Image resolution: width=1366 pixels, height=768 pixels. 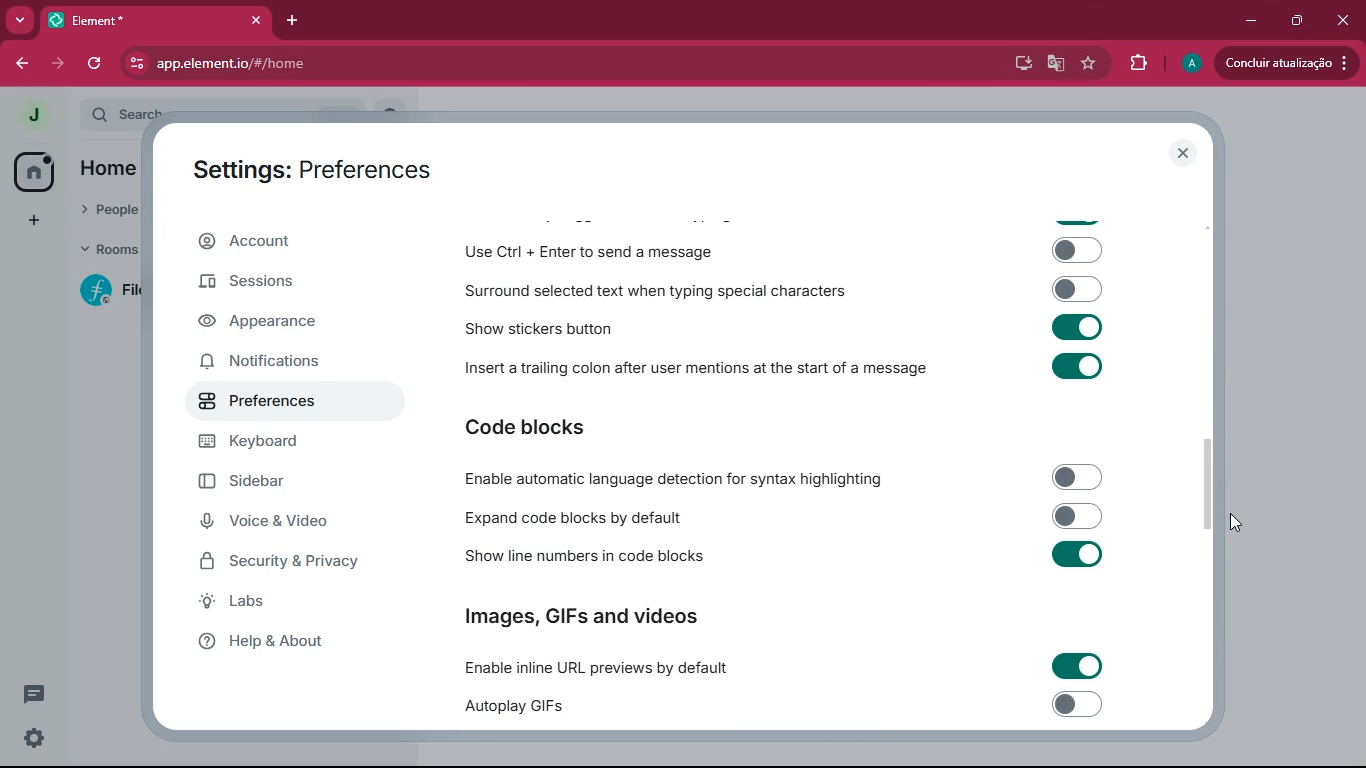 What do you see at coordinates (32, 171) in the screenshot?
I see `home` at bounding box center [32, 171].